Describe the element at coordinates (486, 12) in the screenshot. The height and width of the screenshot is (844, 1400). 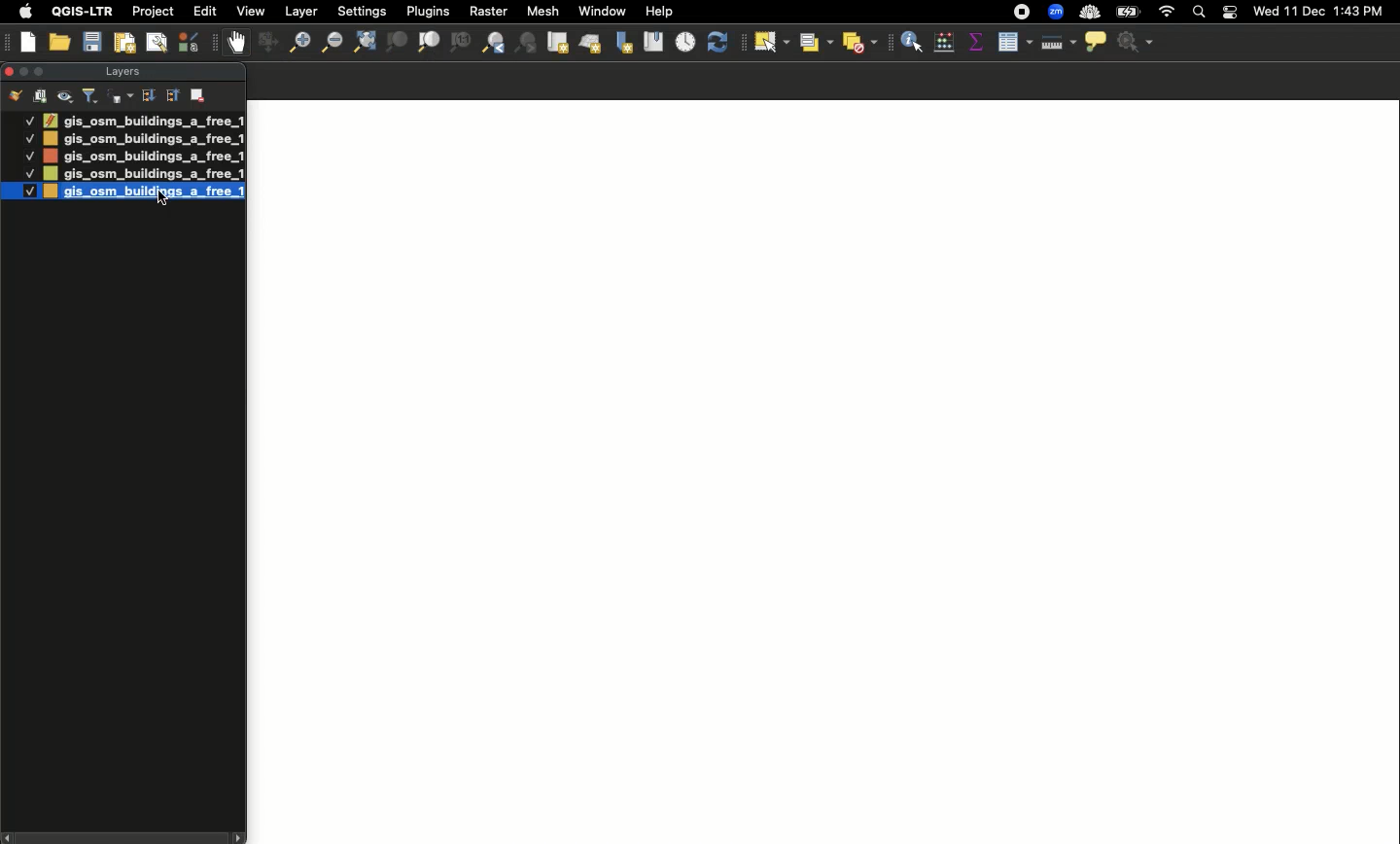
I see `Raster` at that location.